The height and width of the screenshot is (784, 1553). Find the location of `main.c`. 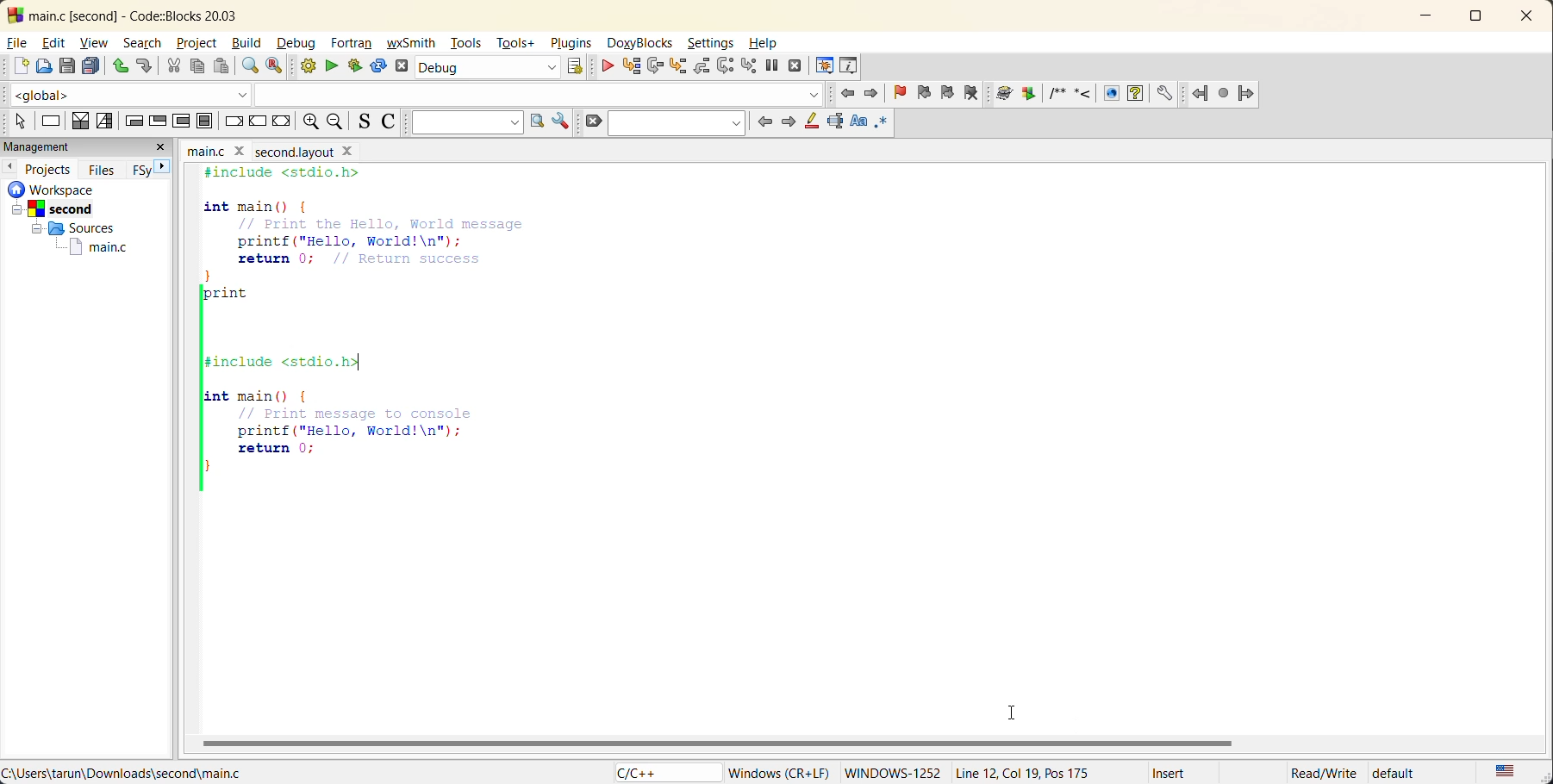

main.c is located at coordinates (96, 248).